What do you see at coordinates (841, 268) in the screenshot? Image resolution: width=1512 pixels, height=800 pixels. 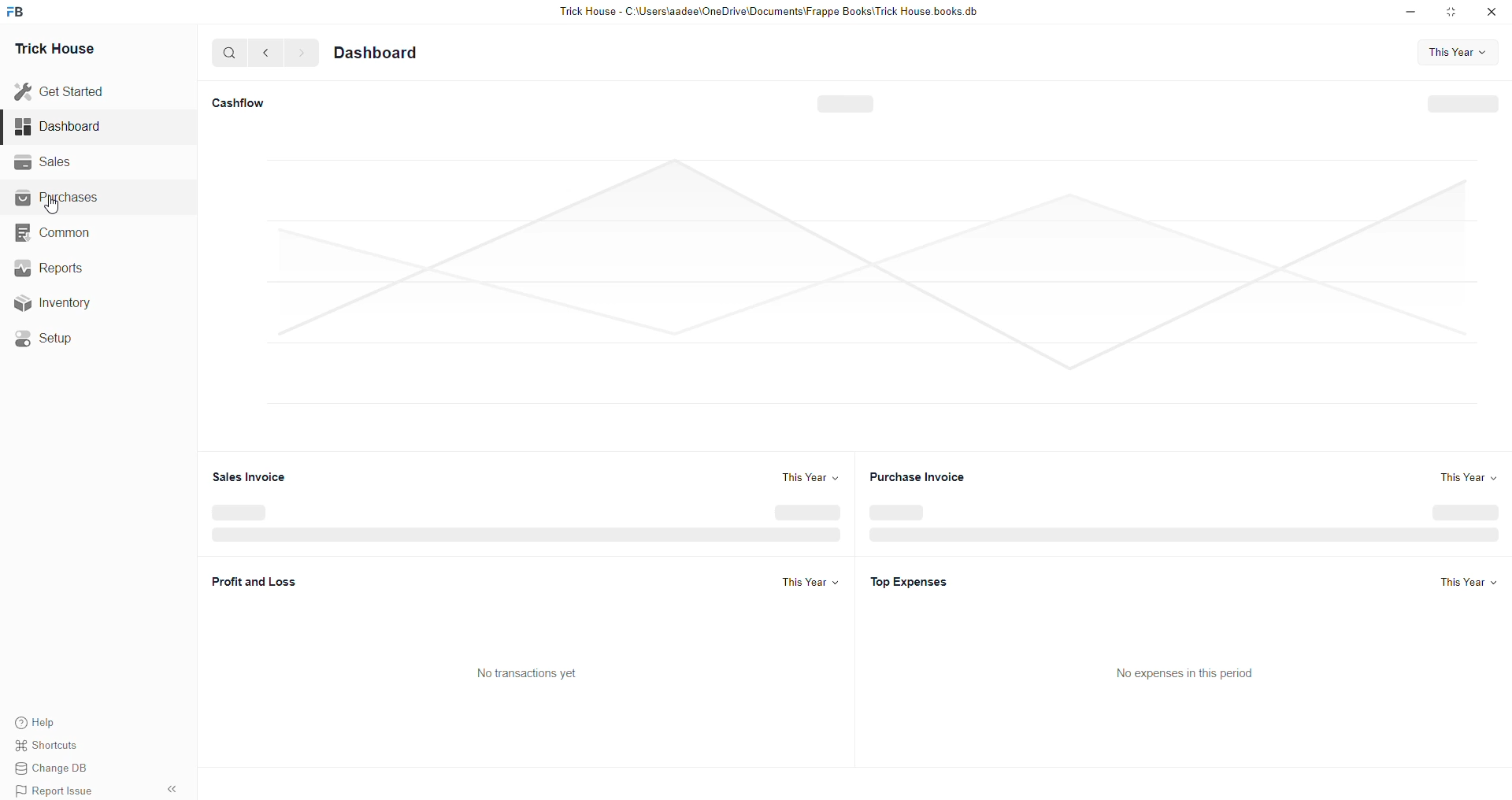 I see `Graph` at bounding box center [841, 268].